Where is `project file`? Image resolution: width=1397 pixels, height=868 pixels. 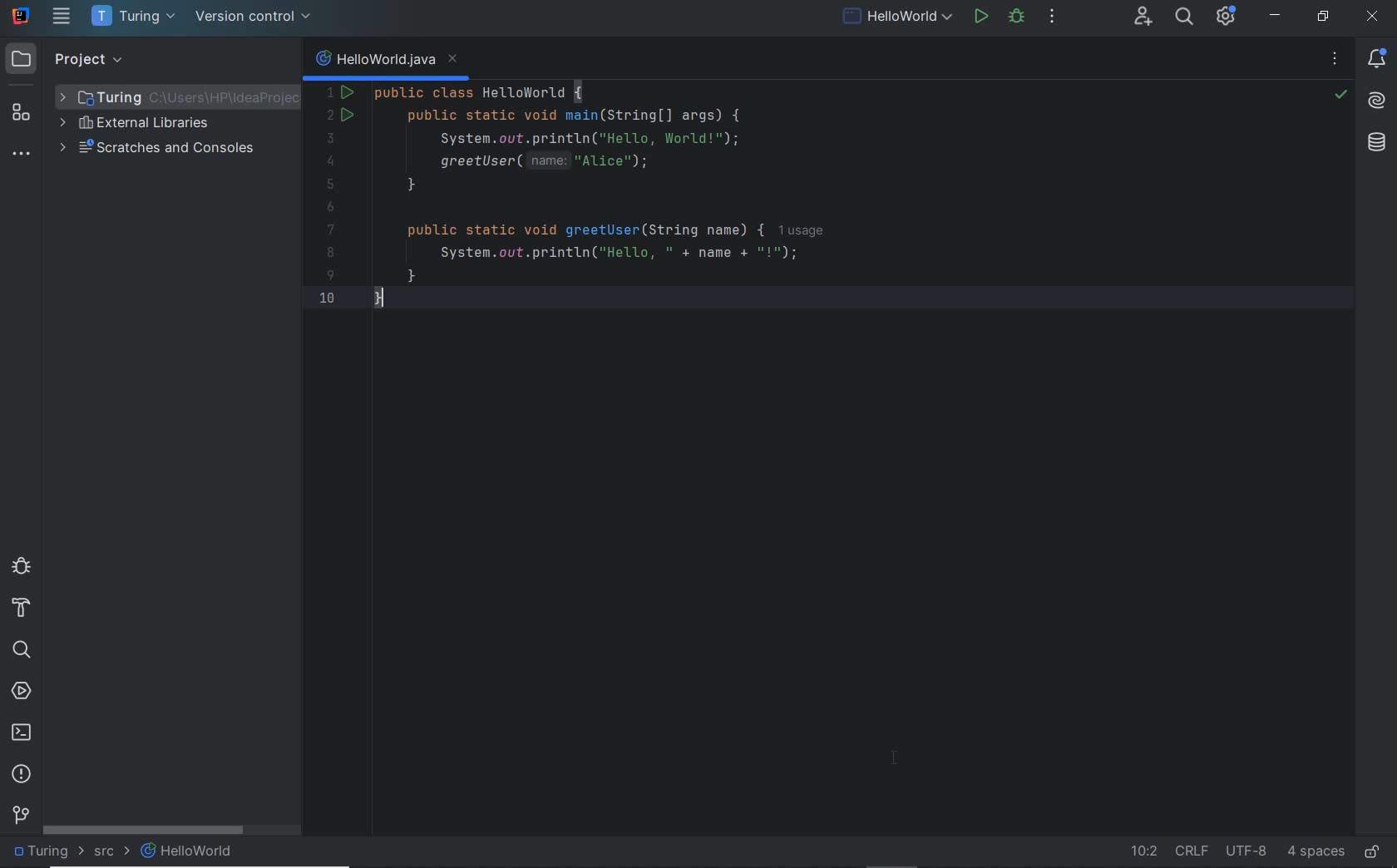 project file is located at coordinates (46, 851).